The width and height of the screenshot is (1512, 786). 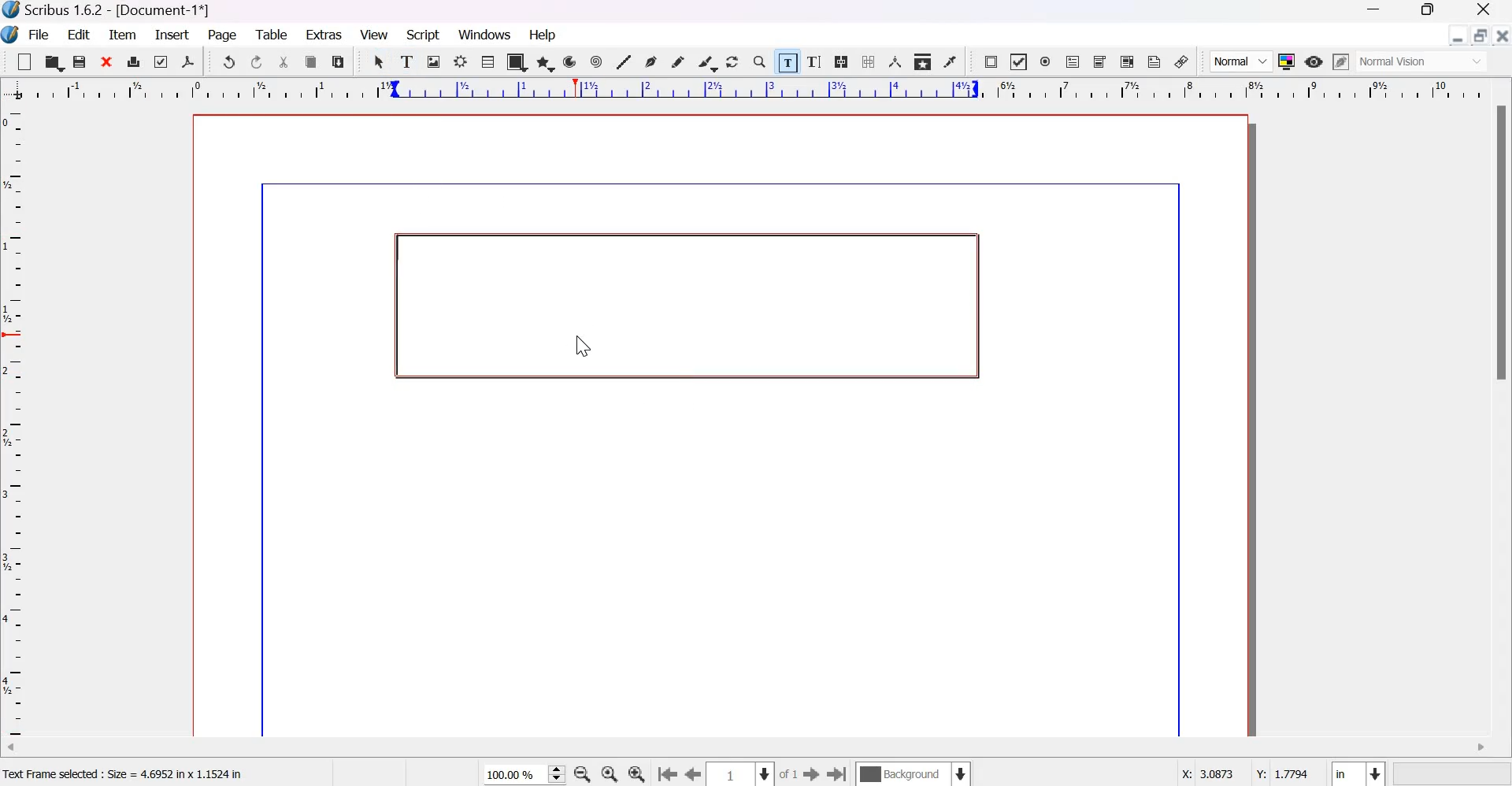 I want to click on preflight verifier, so click(x=158, y=61).